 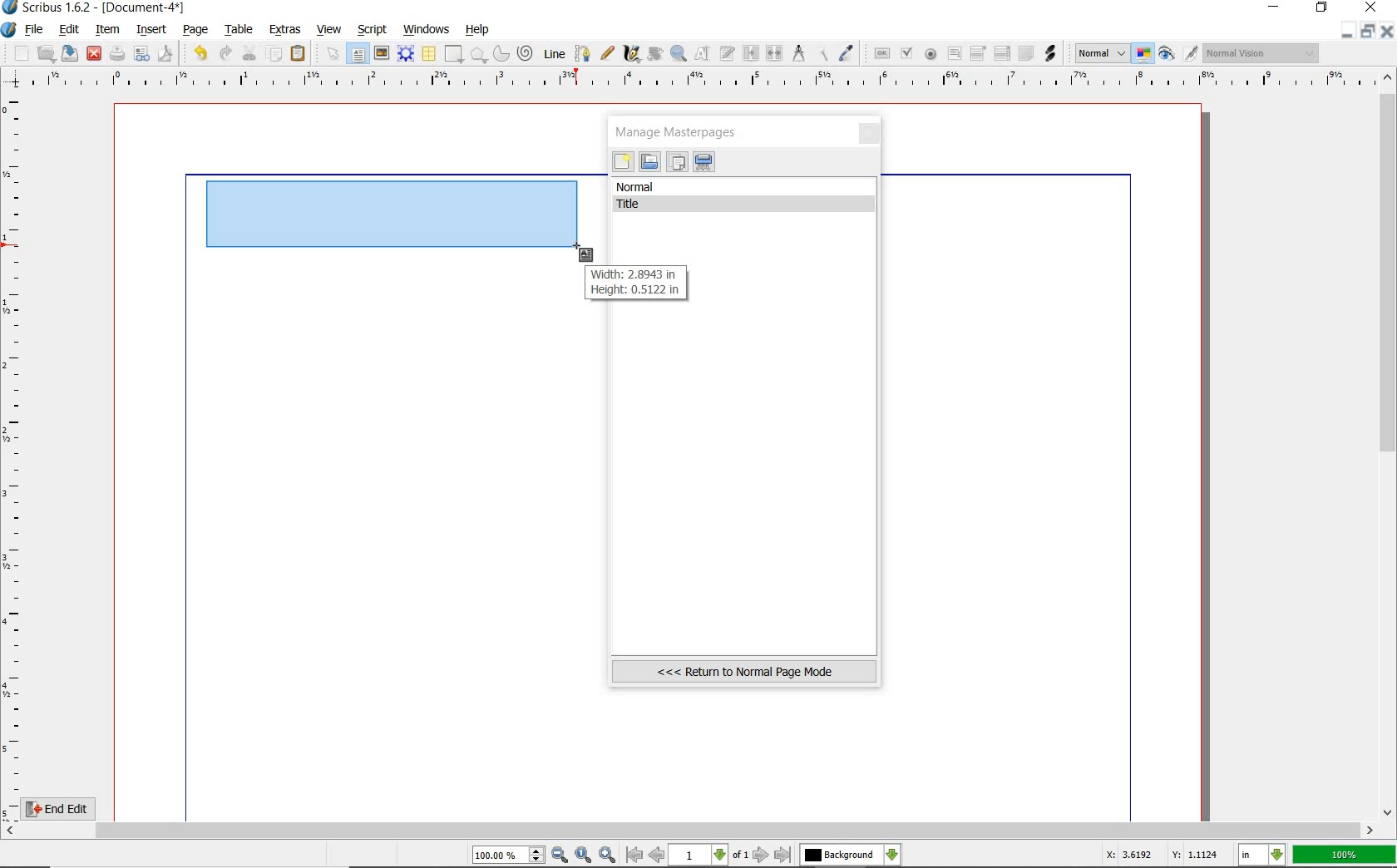 What do you see at coordinates (649, 162) in the screenshot?
I see `import masterpages` at bounding box center [649, 162].